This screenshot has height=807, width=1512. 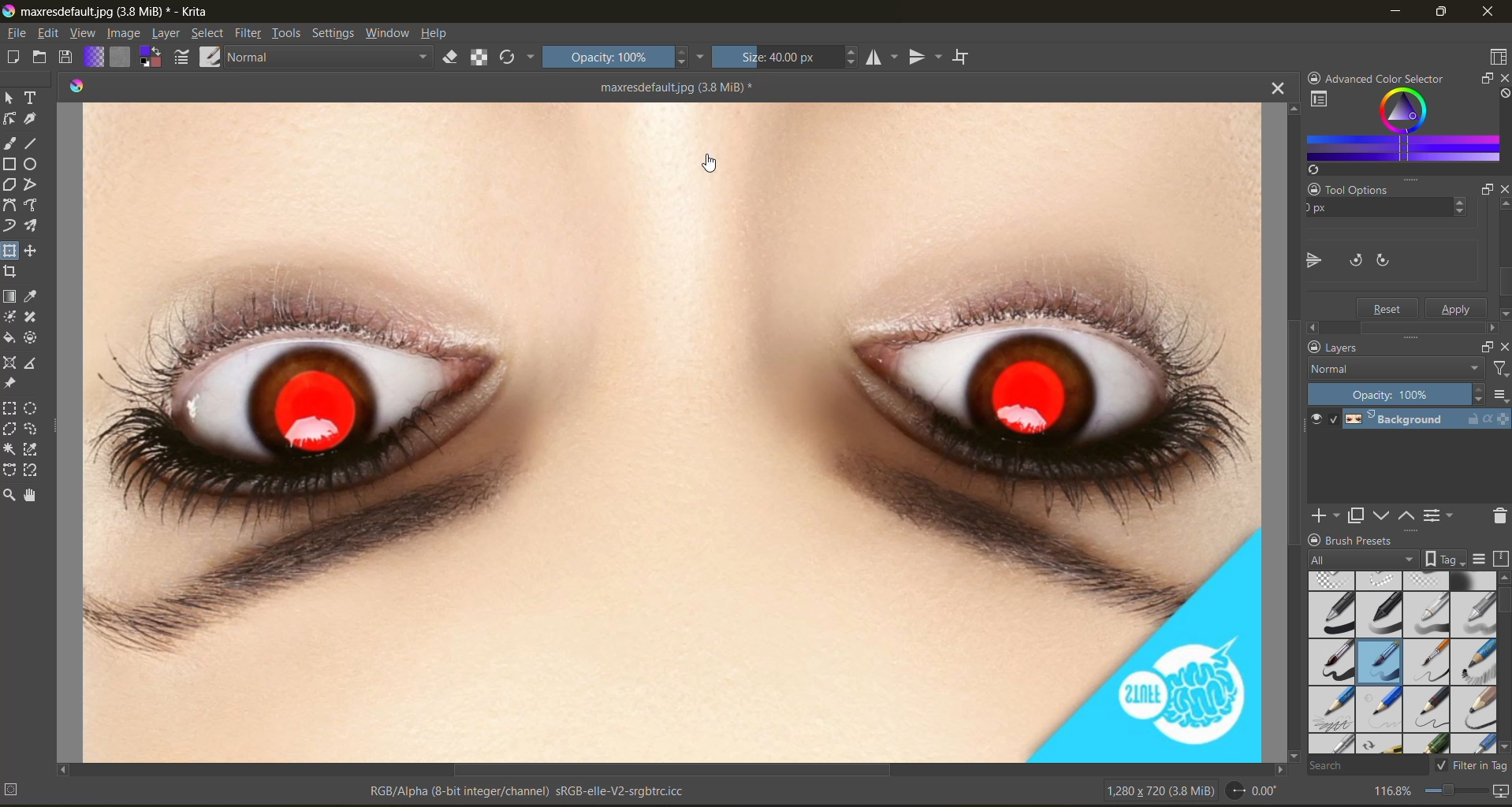 I want to click on reload original preset, so click(x=512, y=58).